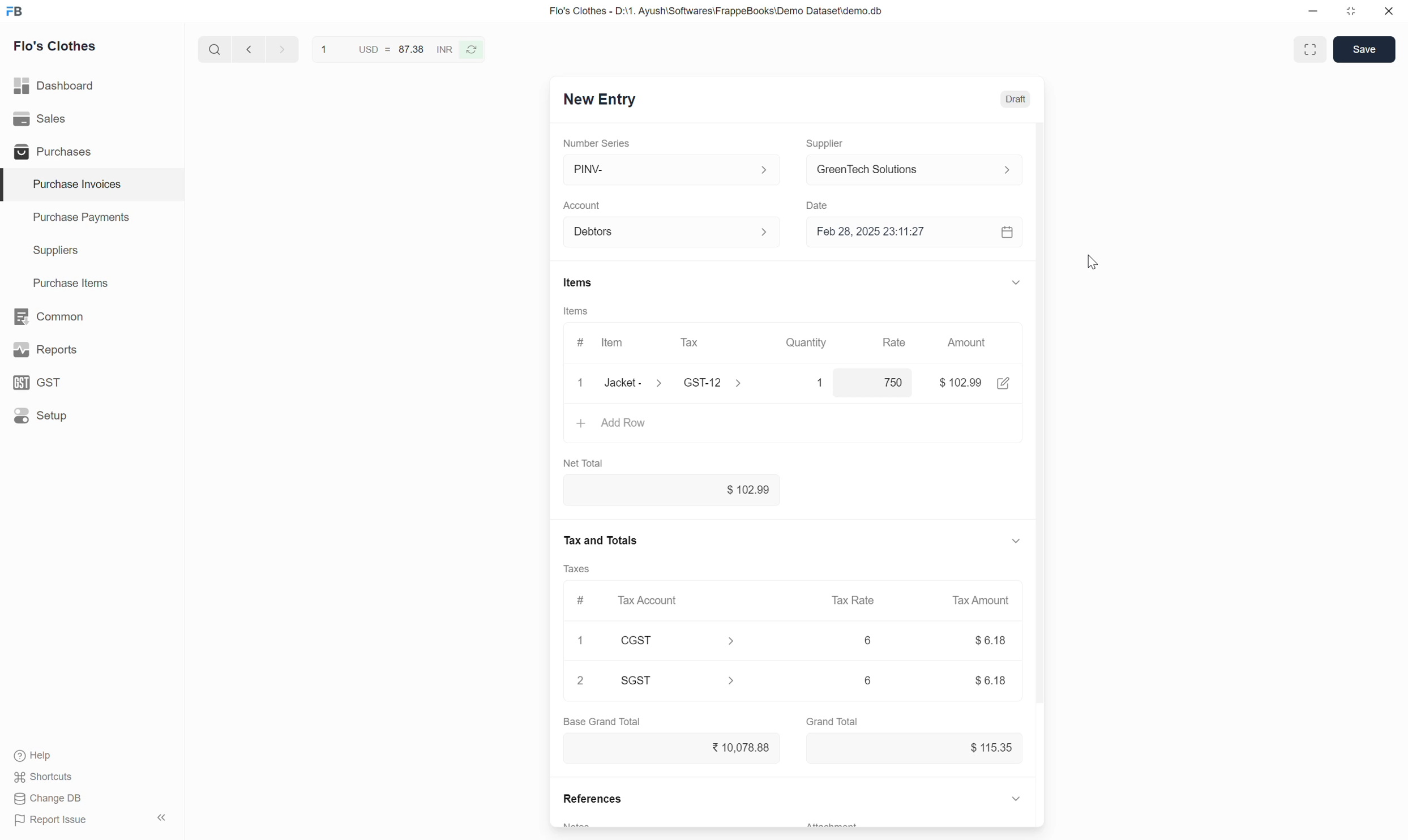 The width and height of the screenshot is (1408, 840). I want to click on Suppliers, so click(92, 251).